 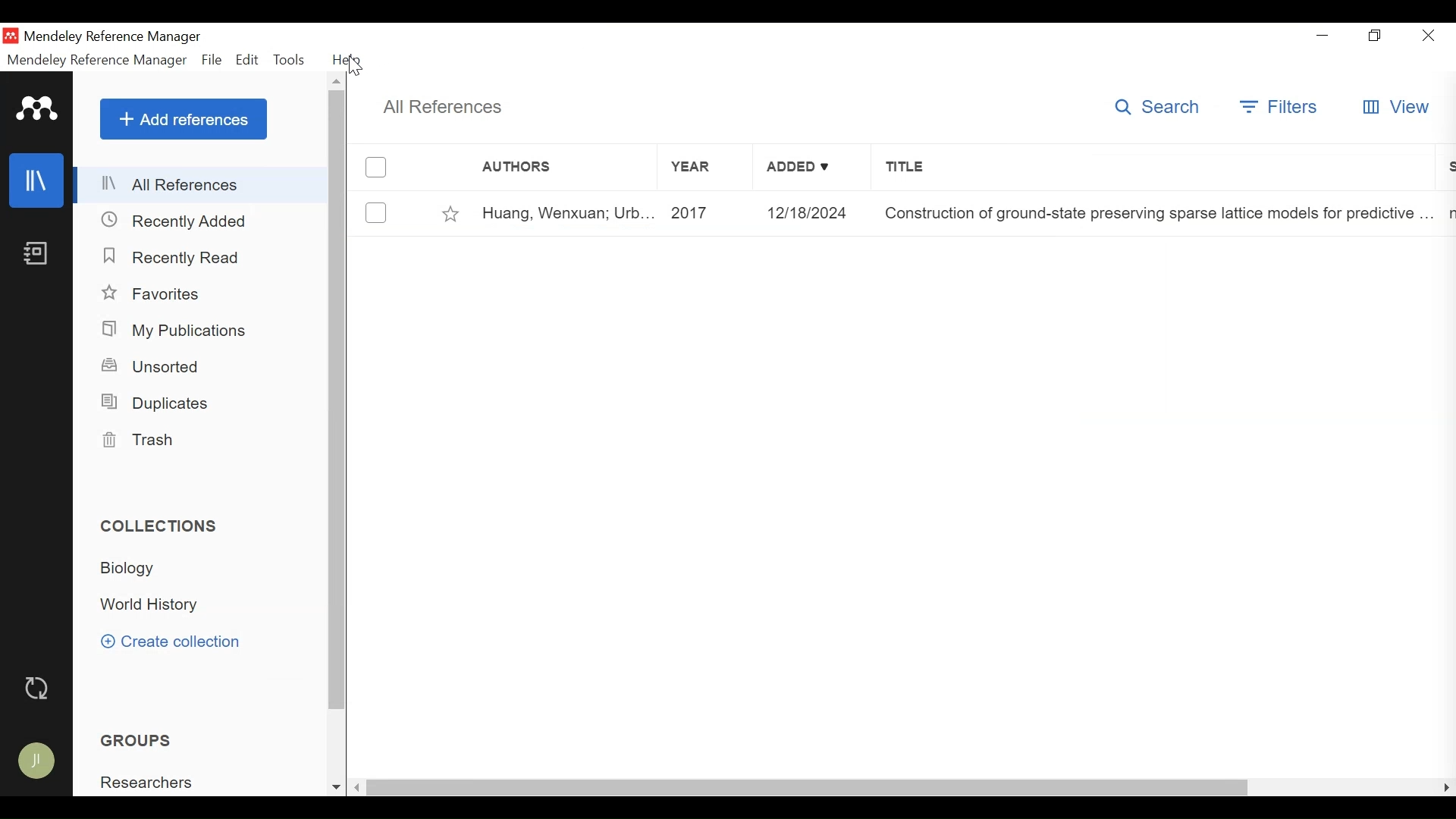 I want to click on Scroll up, so click(x=338, y=85).